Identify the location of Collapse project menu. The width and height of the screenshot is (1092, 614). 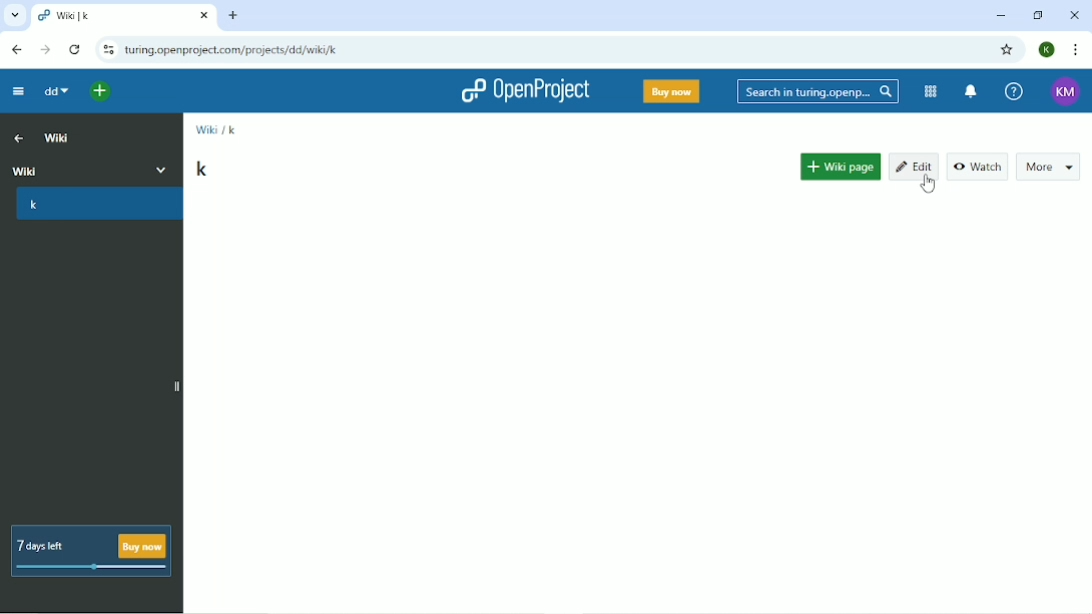
(18, 91).